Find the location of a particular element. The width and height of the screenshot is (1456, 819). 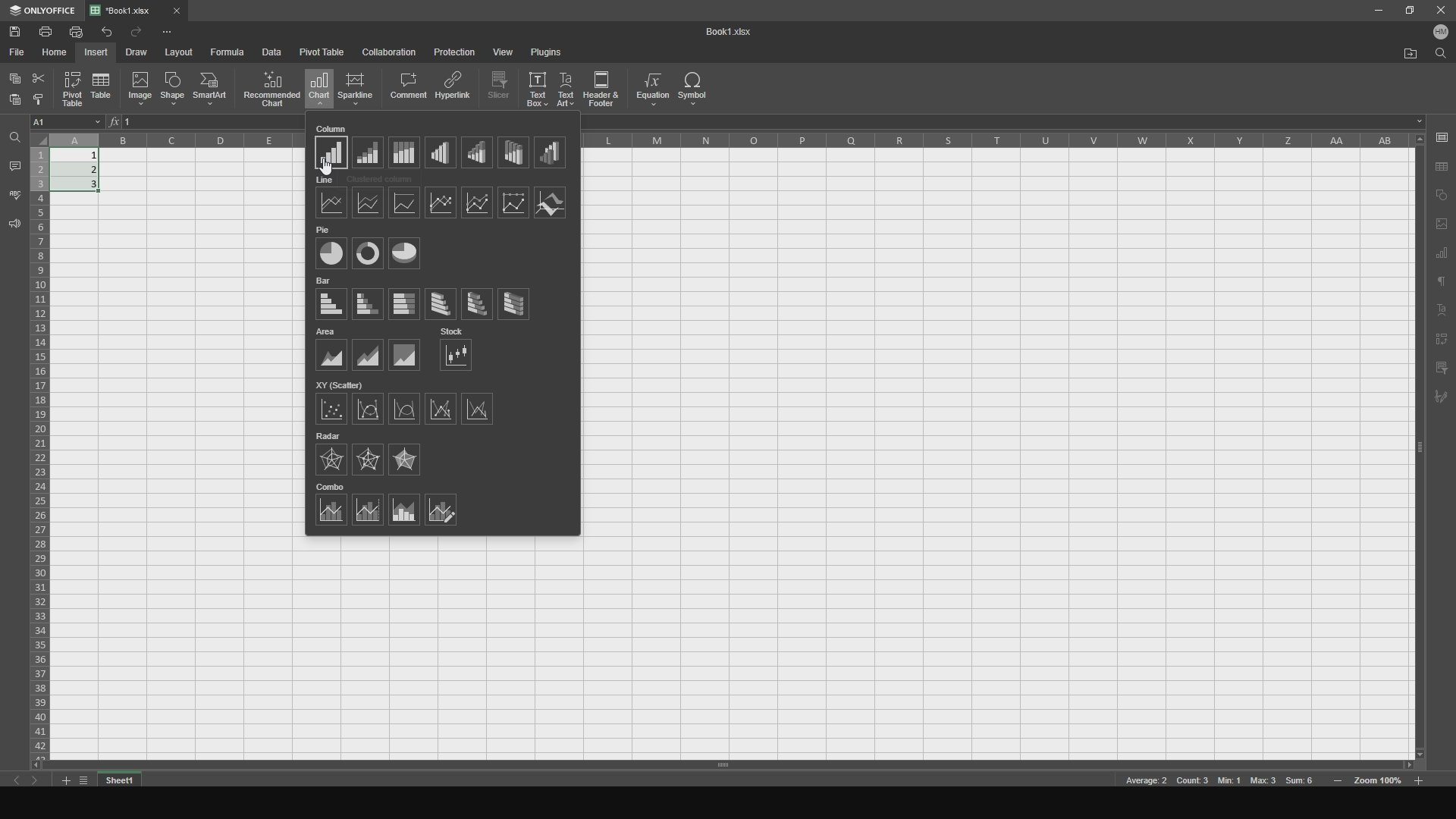

view is located at coordinates (504, 50).